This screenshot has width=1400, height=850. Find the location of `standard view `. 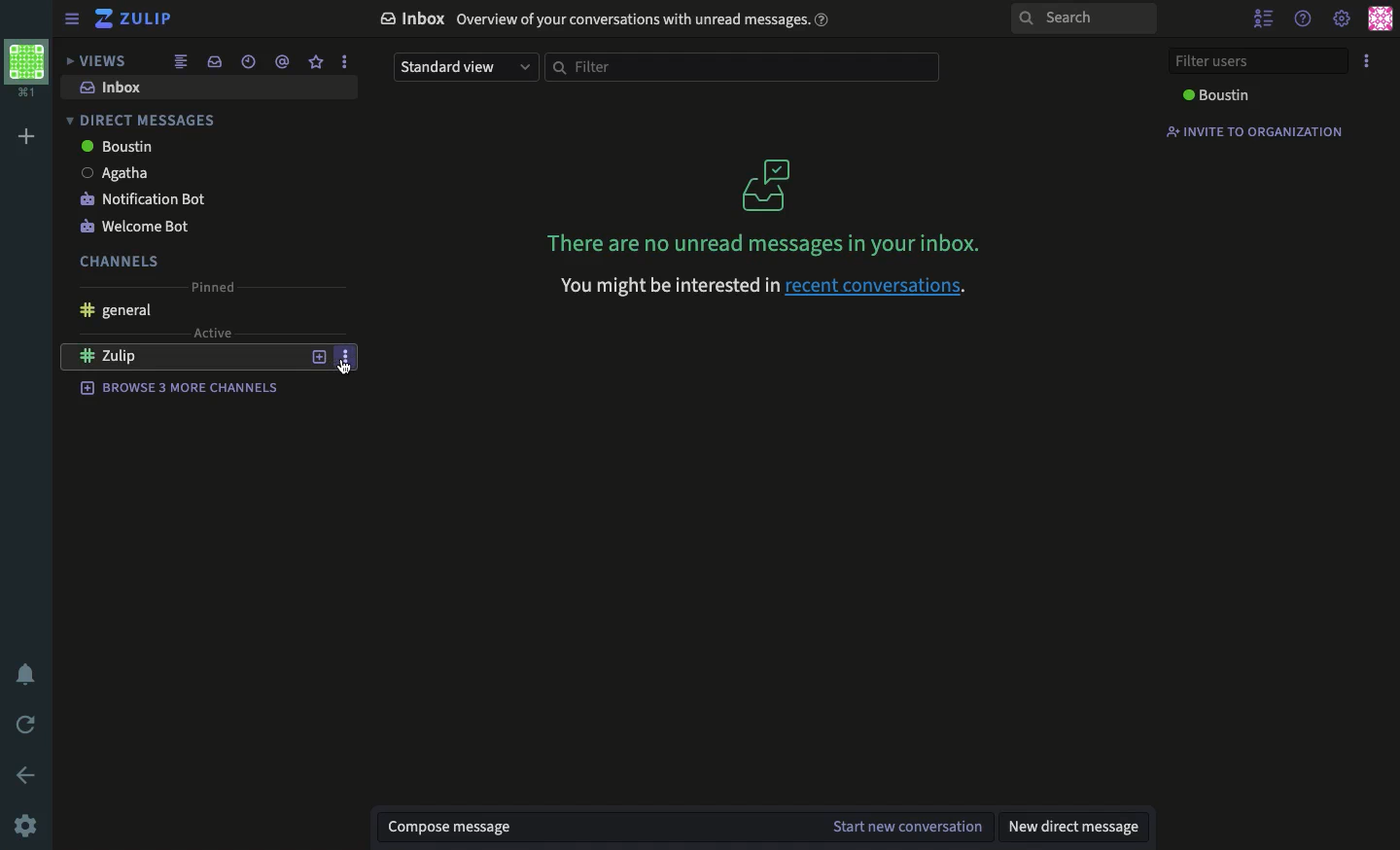

standard view  is located at coordinates (465, 69).